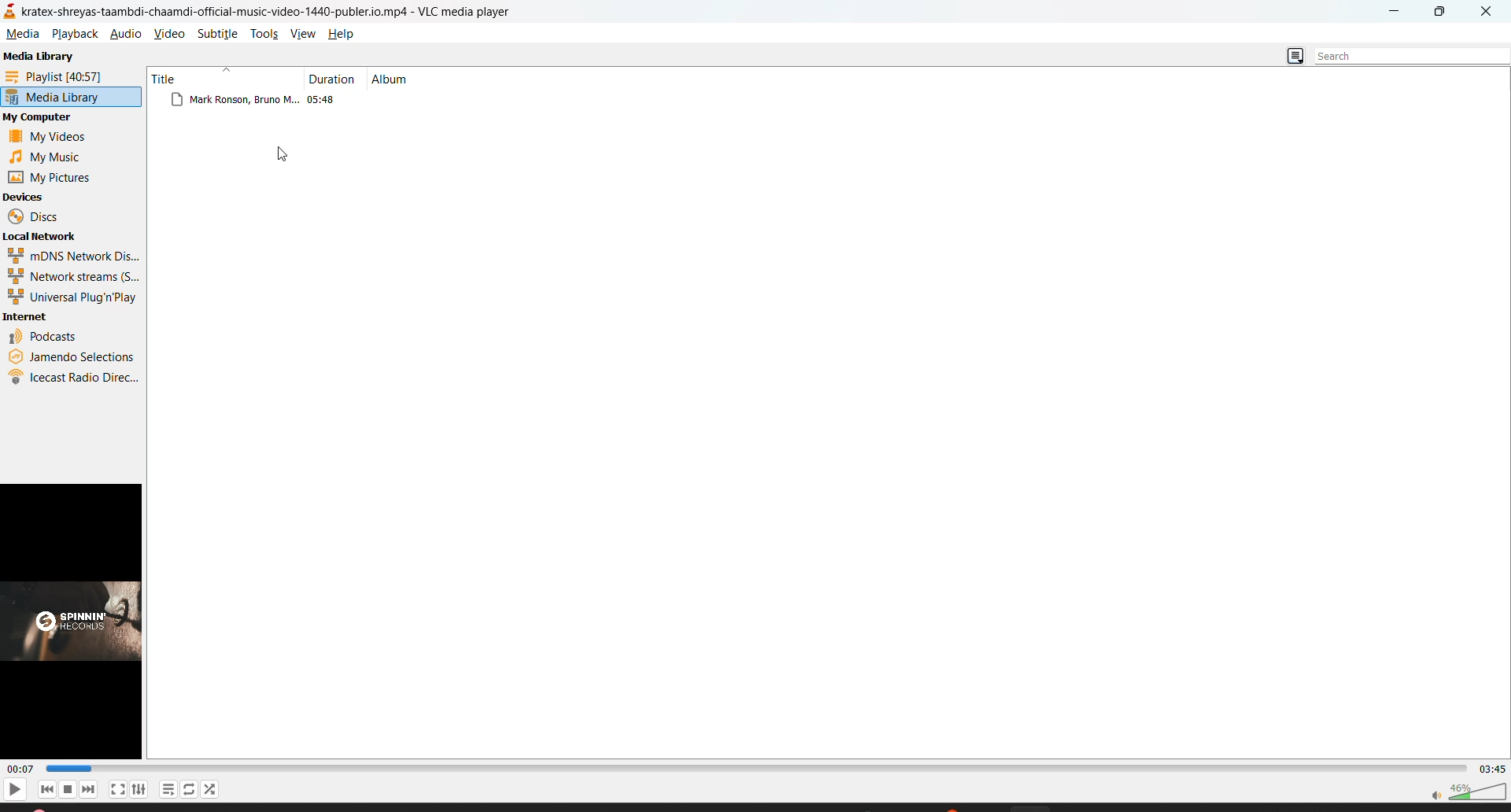 The height and width of the screenshot is (812, 1511). Describe the element at coordinates (54, 138) in the screenshot. I see `videos` at that location.